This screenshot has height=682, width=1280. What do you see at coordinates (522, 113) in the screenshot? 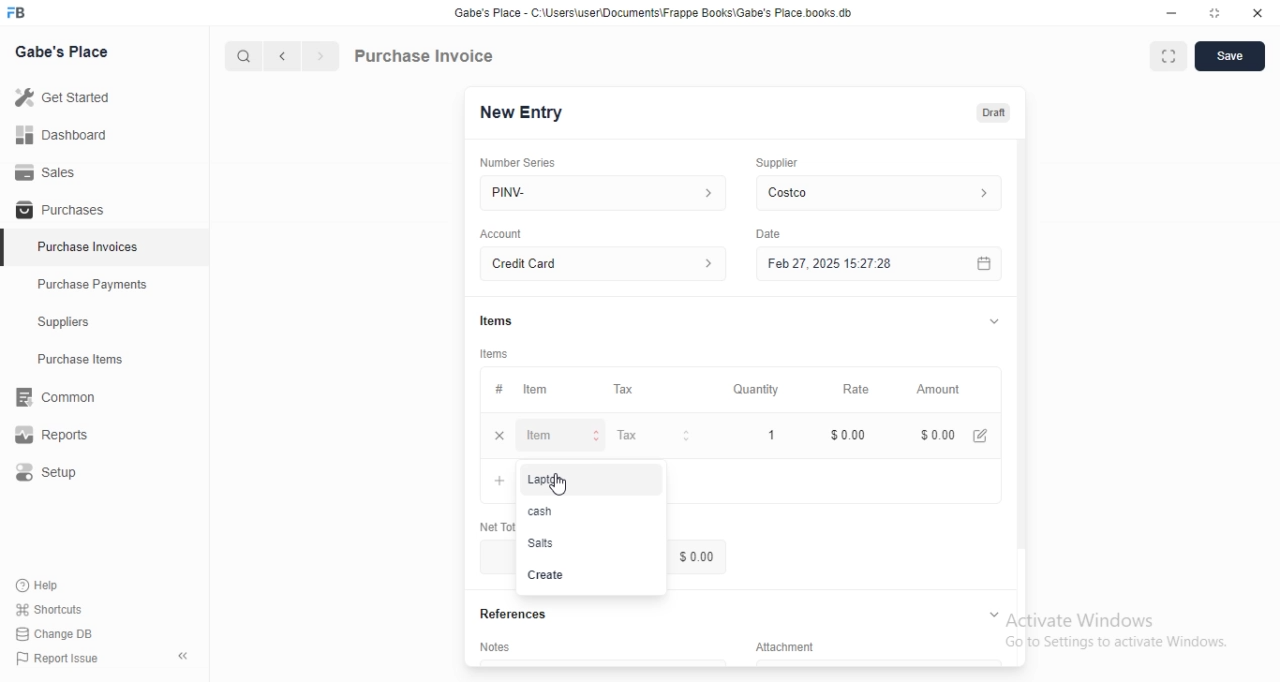
I see `New Entry` at bounding box center [522, 113].